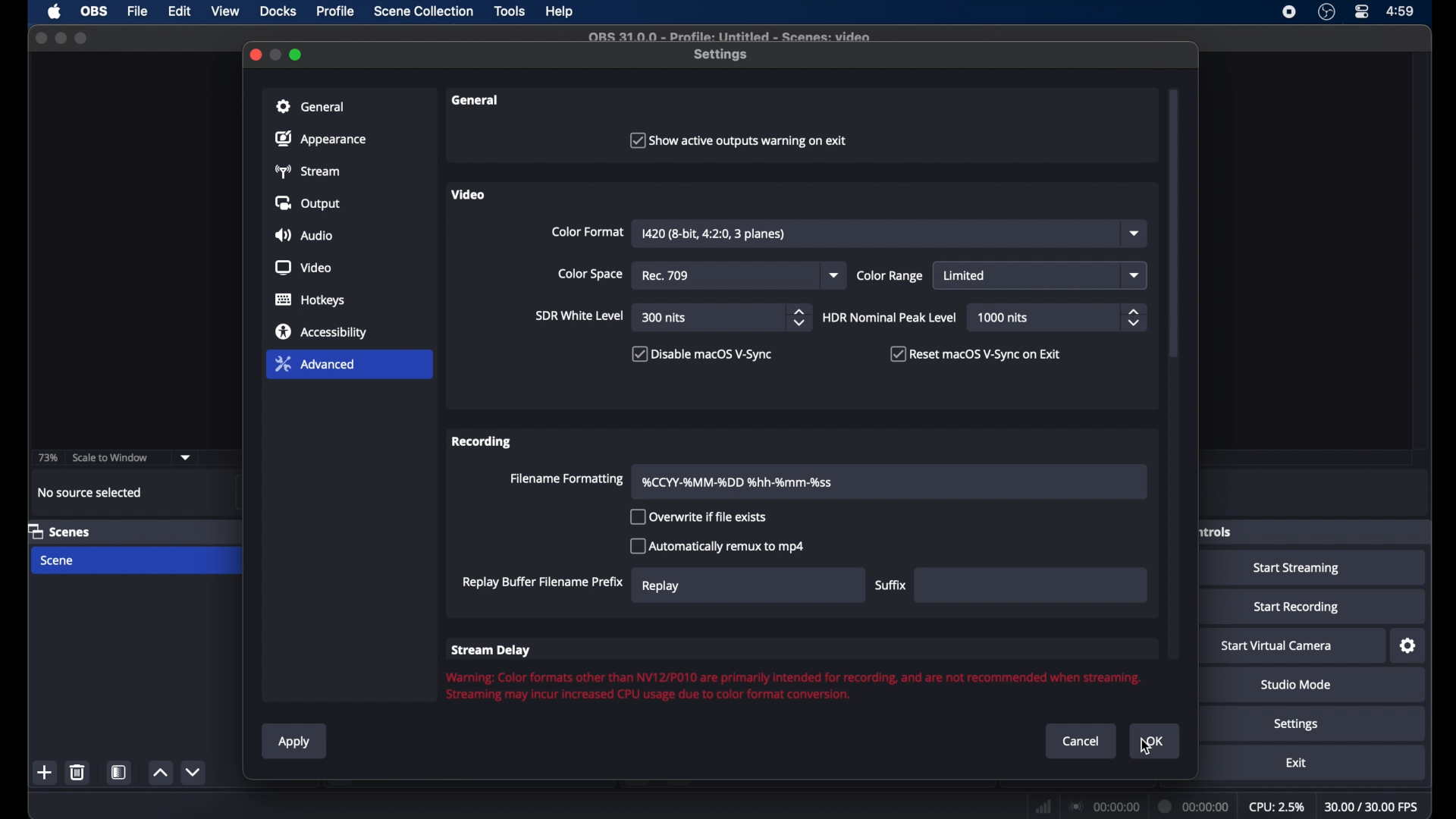 The height and width of the screenshot is (819, 1456). What do you see at coordinates (740, 482) in the screenshot?
I see `%CCYY-%MM-%DD %hh-%mm-%ss` at bounding box center [740, 482].